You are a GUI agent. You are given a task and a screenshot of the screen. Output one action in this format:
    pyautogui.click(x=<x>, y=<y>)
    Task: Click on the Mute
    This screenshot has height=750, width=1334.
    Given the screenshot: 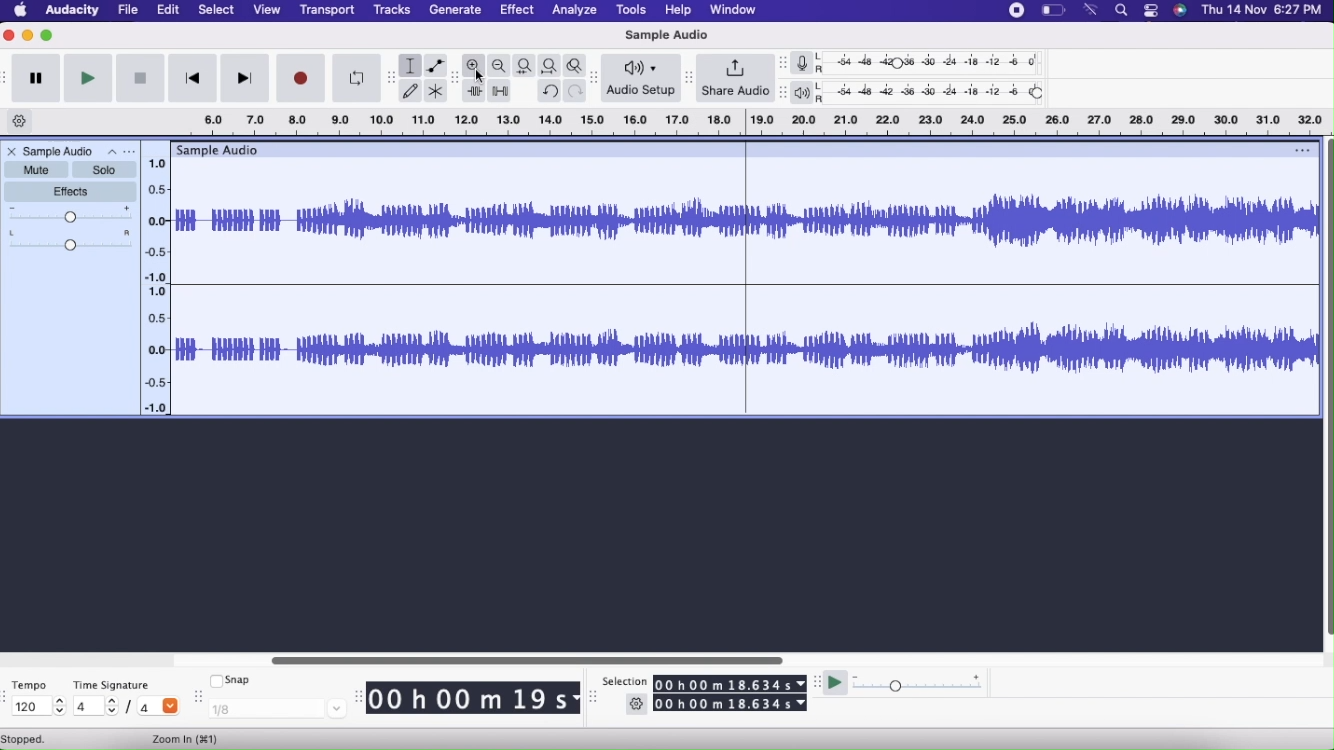 What is the action you would take?
    pyautogui.click(x=35, y=170)
    